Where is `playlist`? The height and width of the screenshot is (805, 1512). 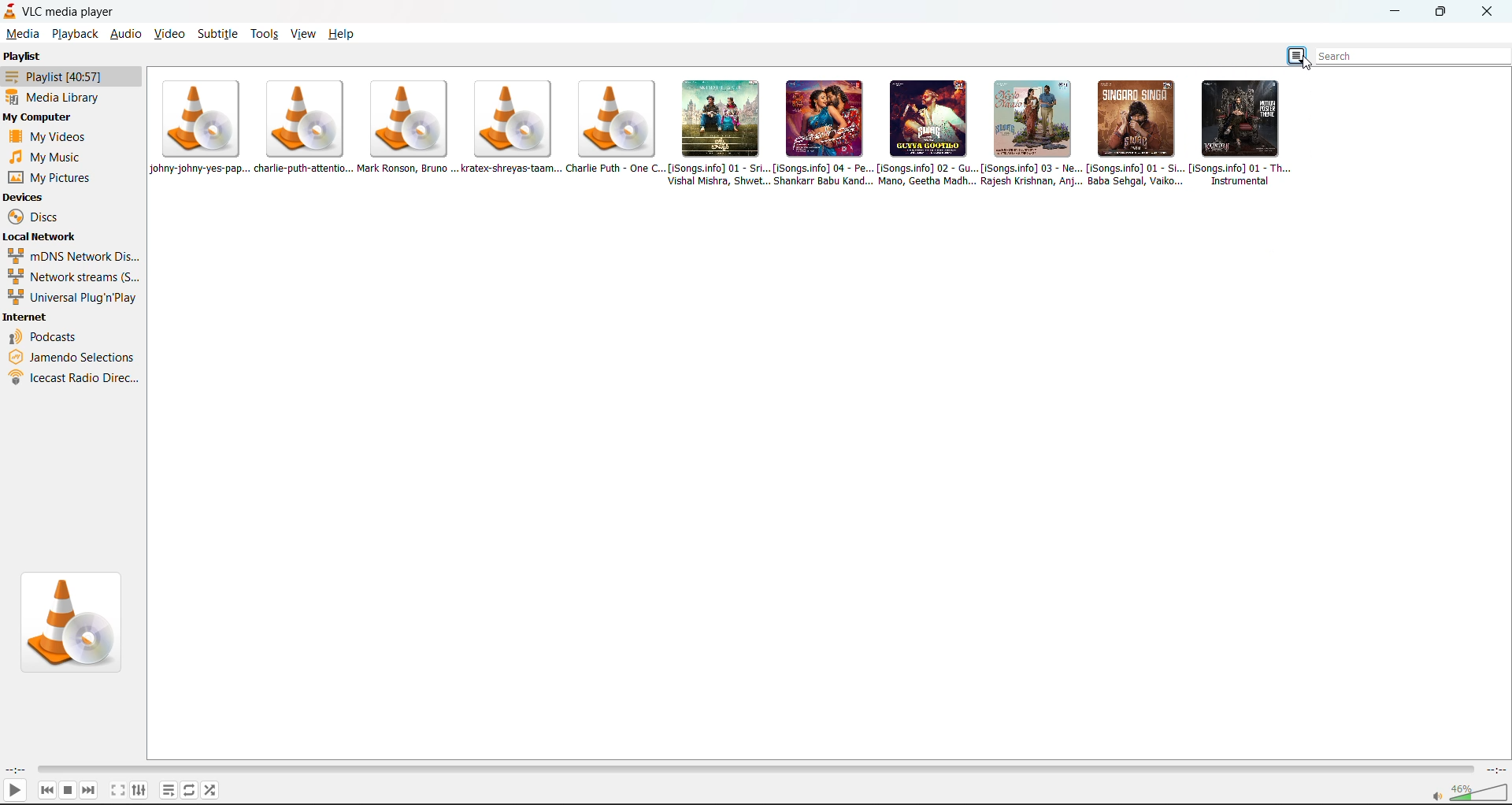 playlist is located at coordinates (169, 788).